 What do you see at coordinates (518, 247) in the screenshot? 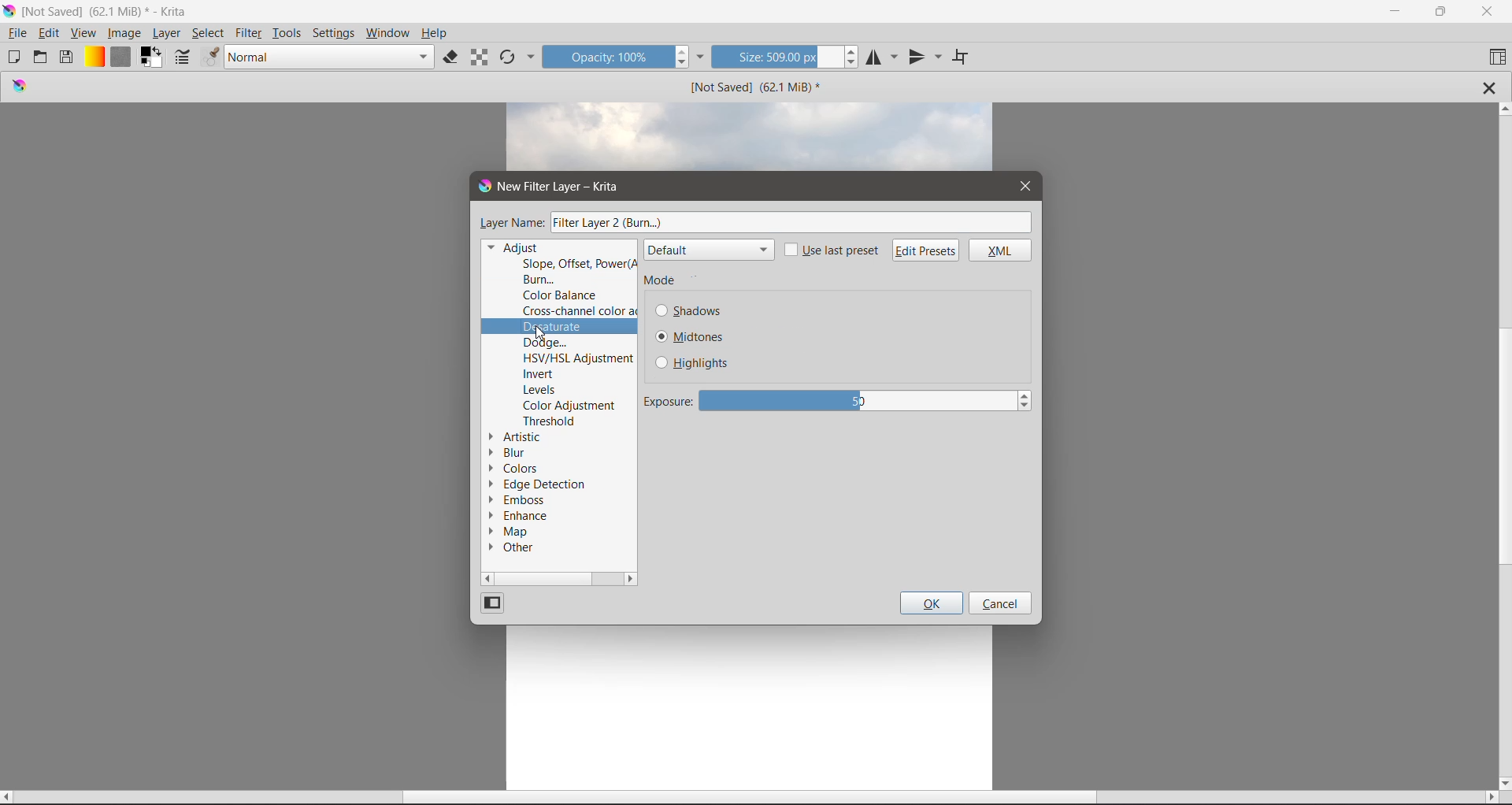
I see `Adjust` at bounding box center [518, 247].